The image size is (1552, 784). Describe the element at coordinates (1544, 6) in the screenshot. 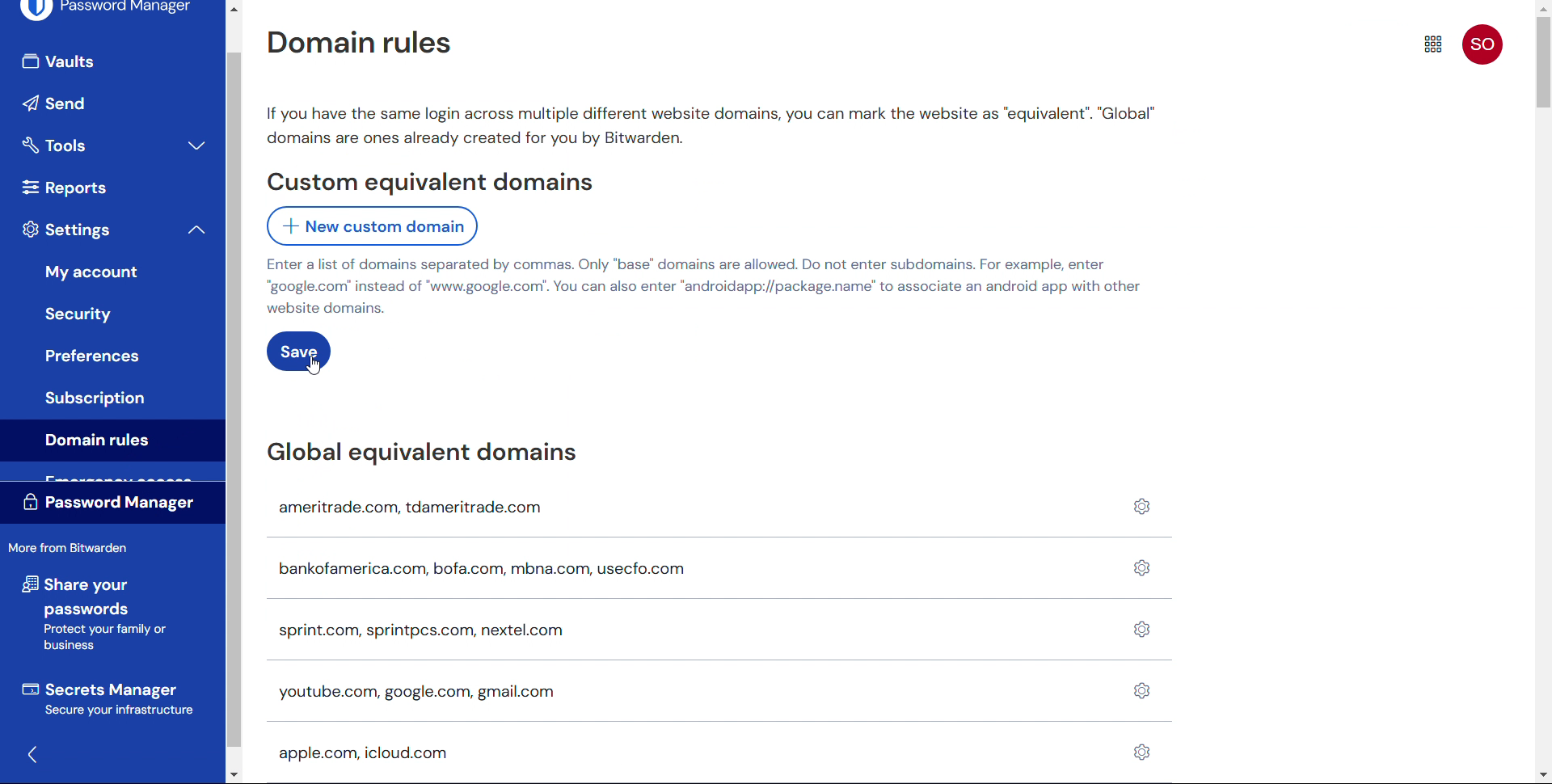

I see `Scroll up ` at that location.